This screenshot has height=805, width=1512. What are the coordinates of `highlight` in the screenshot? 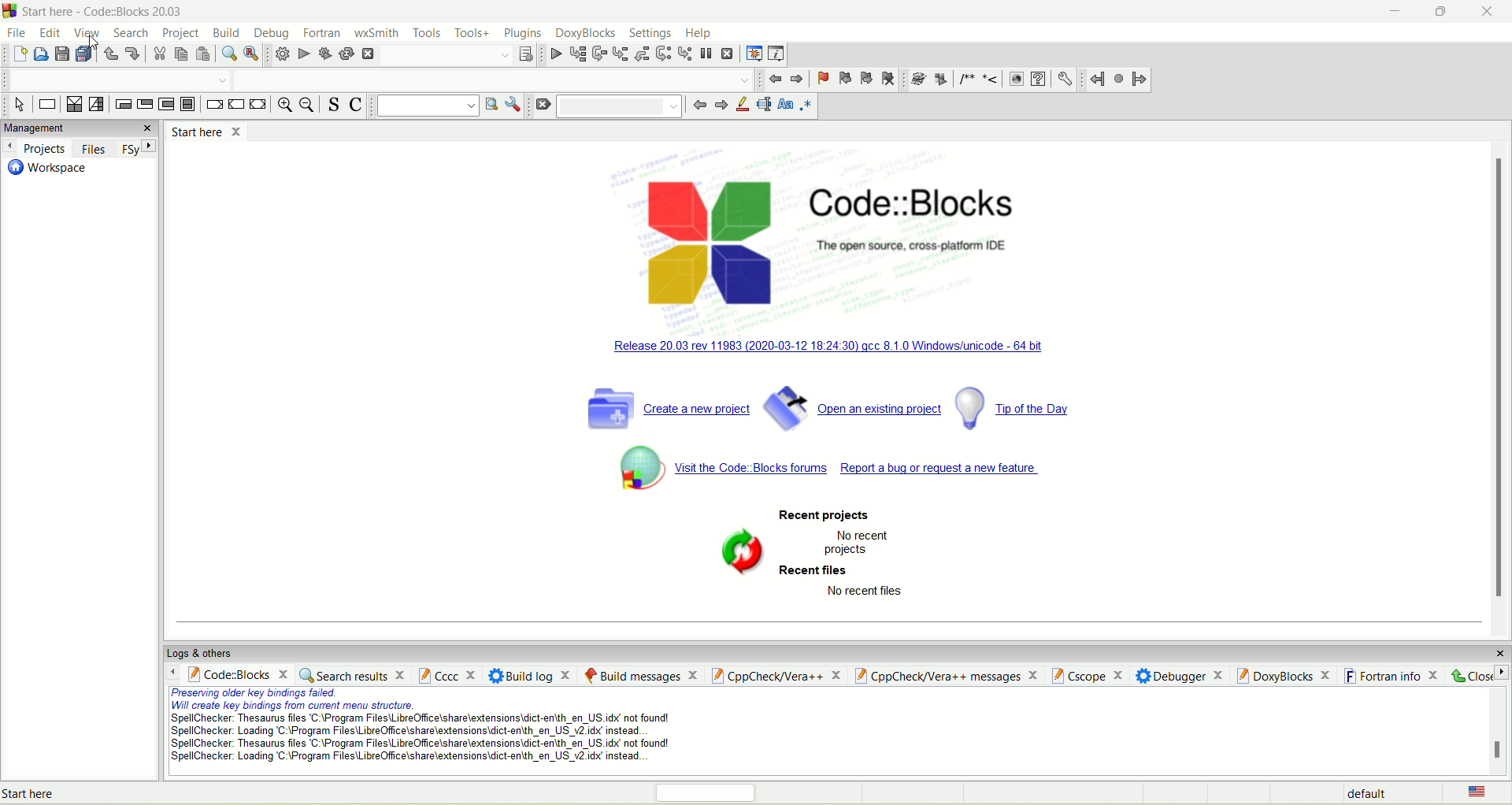 It's located at (741, 108).